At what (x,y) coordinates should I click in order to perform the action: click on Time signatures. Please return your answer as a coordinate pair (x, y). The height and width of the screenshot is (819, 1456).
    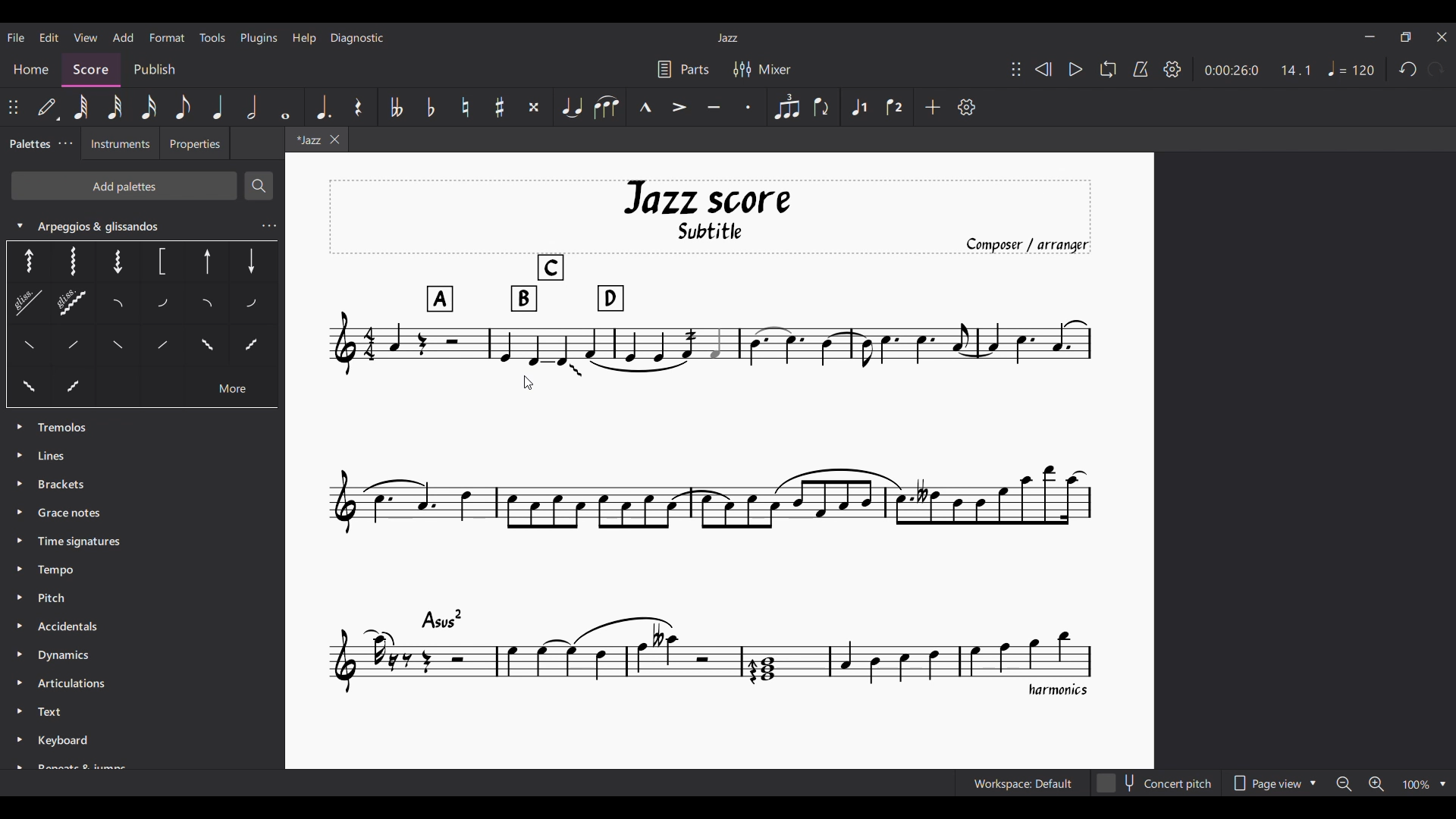
    Looking at the image, I should click on (79, 539).